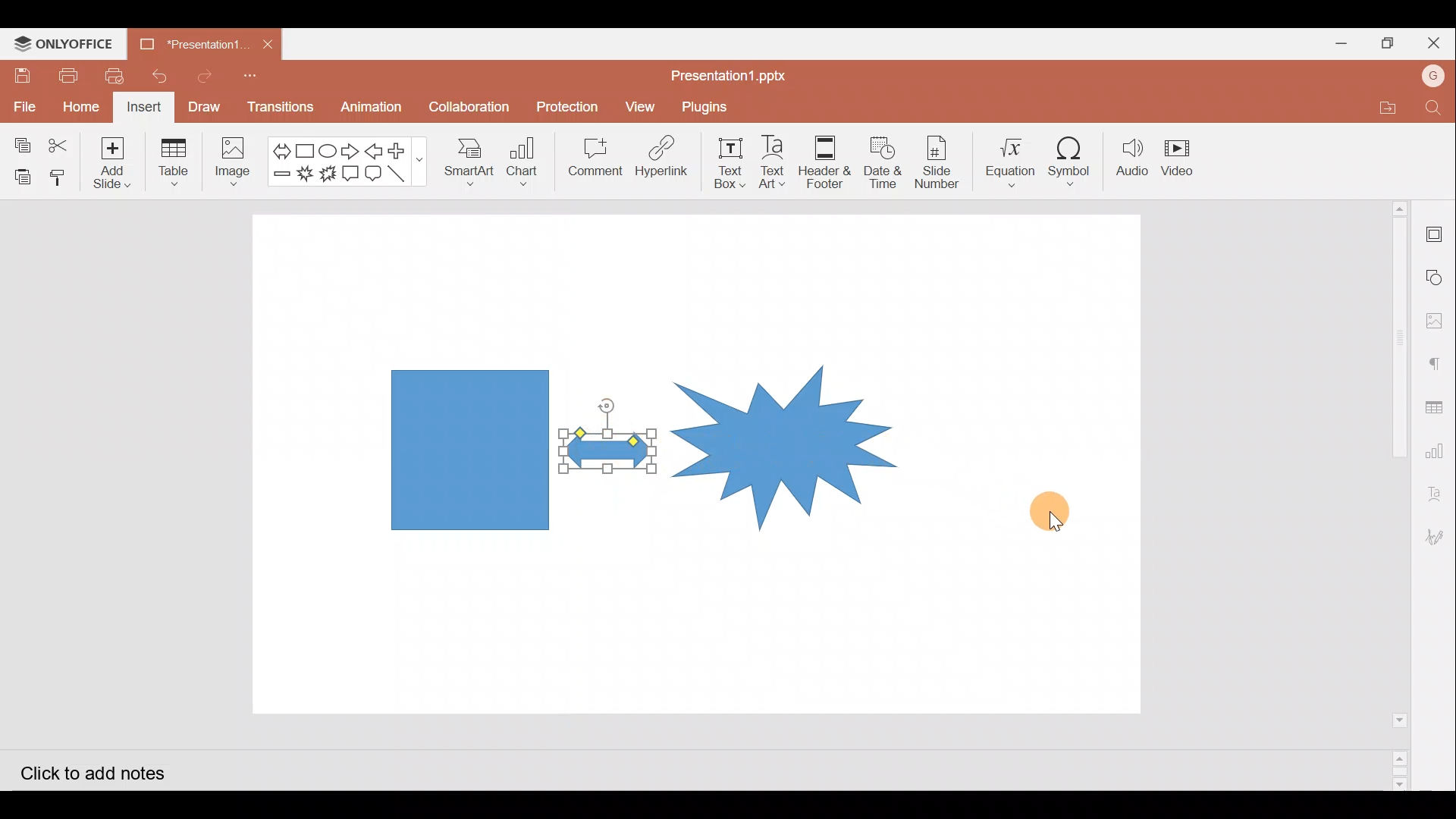  I want to click on Animation, so click(372, 108).